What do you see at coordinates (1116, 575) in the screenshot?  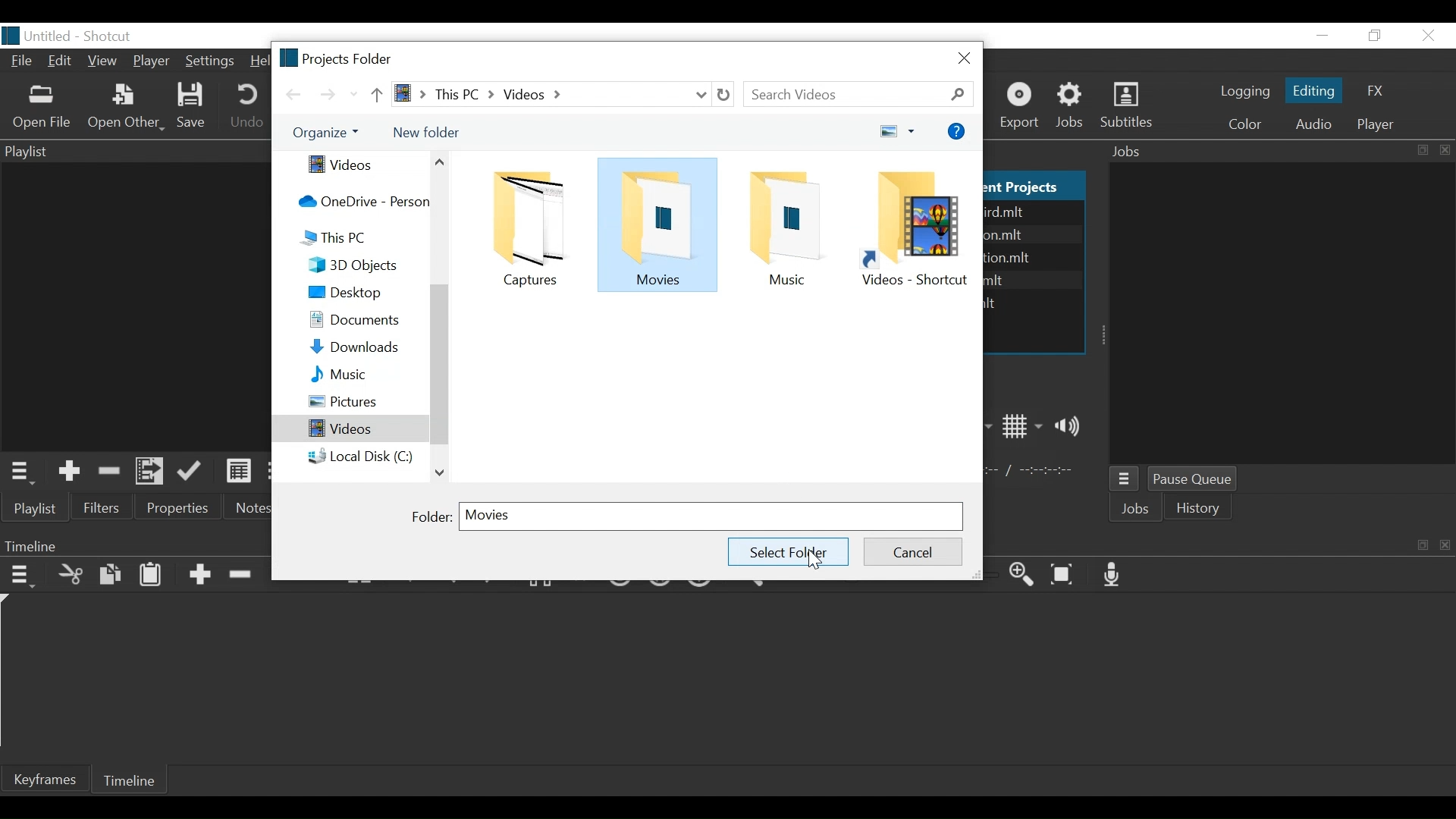 I see `Record audio` at bounding box center [1116, 575].